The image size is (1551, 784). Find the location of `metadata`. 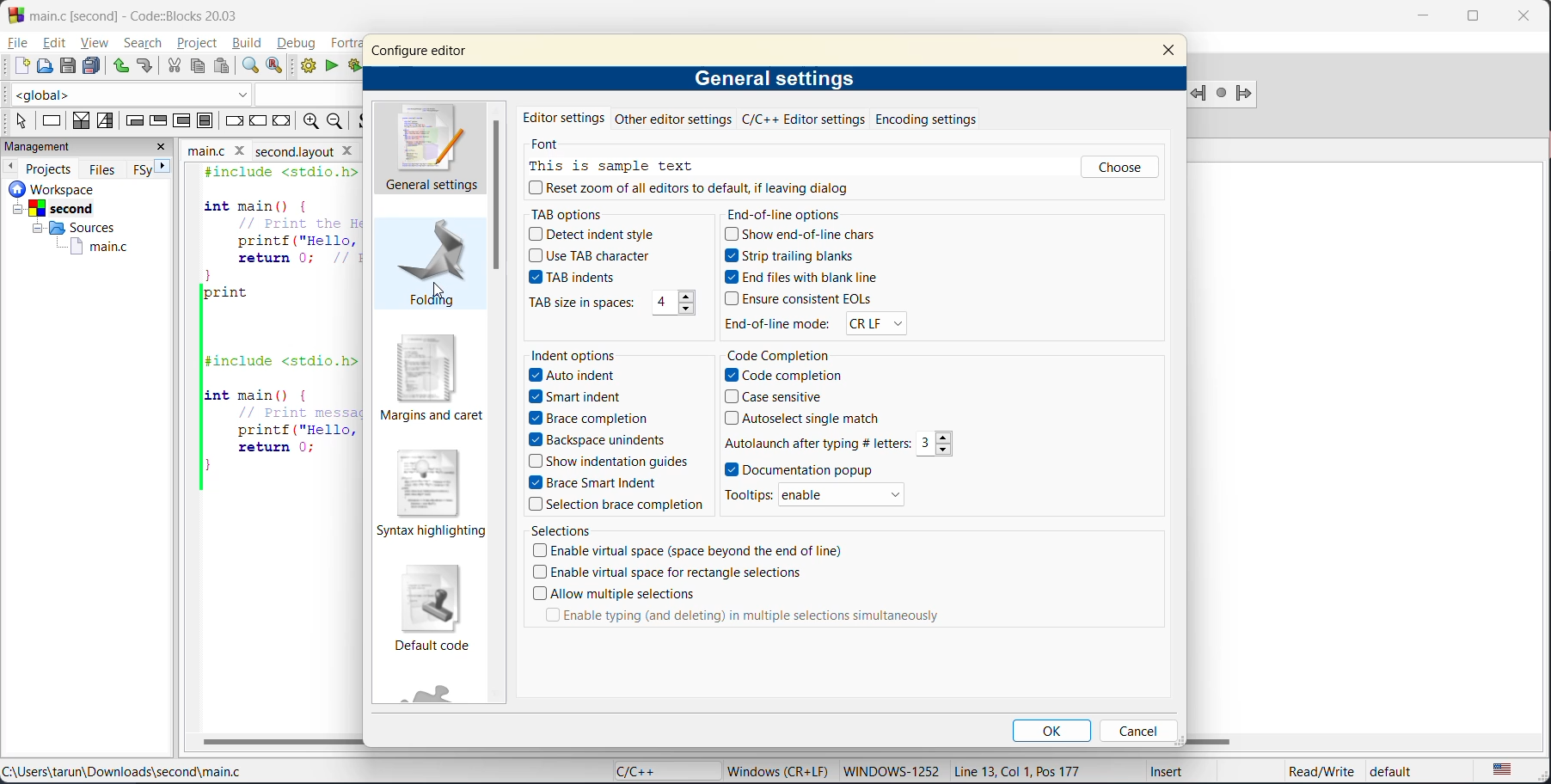

metadata is located at coordinates (781, 770).